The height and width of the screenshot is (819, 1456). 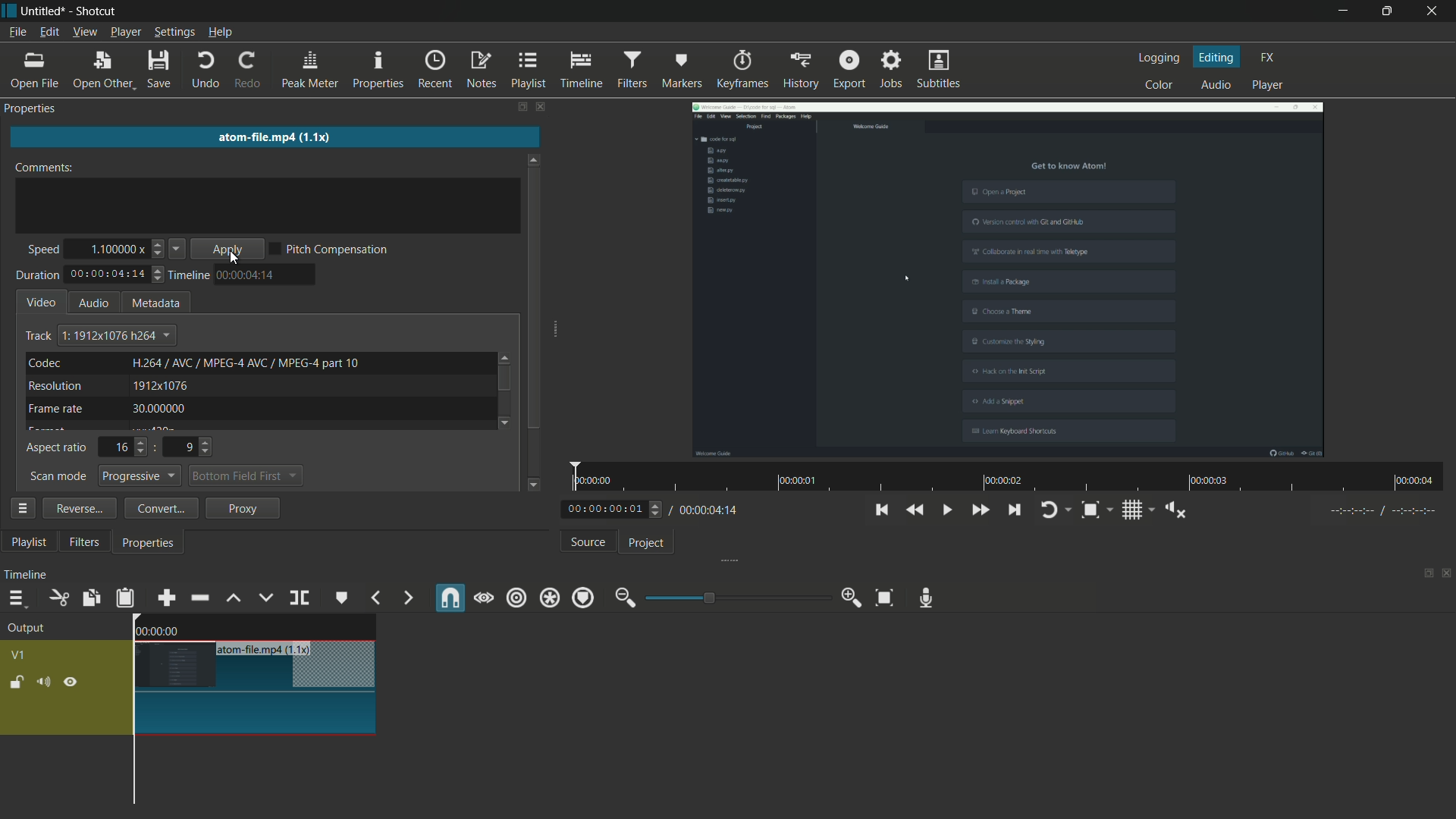 I want to click on properties, so click(x=378, y=67).